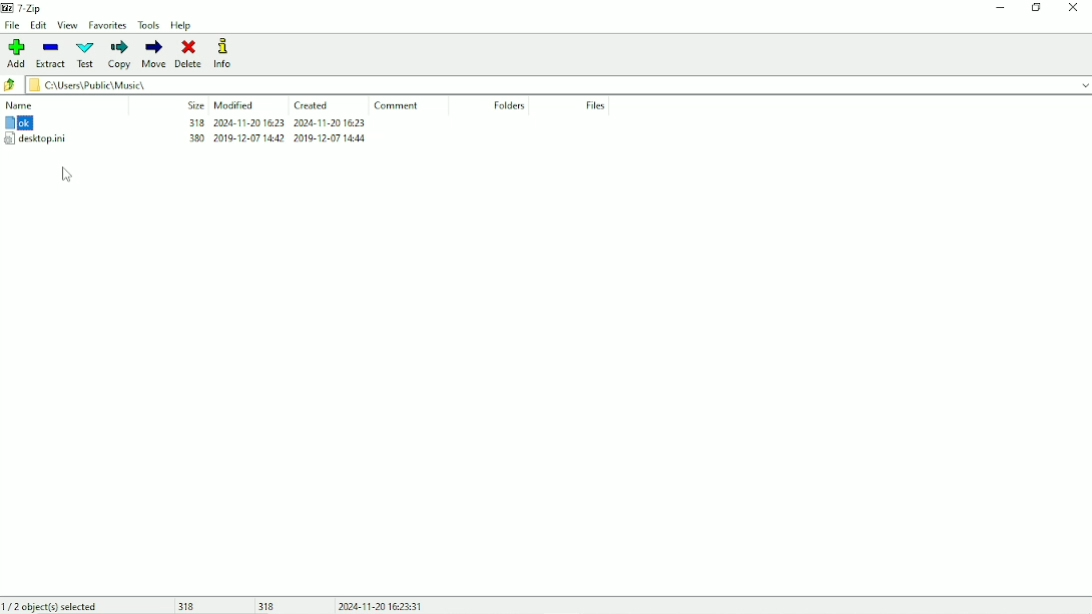 The height and width of the screenshot is (614, 1092). What do you see at coordinates (35, 138) in the screenshot?
I see `desktop.ini` at bounding box center [35, 138].